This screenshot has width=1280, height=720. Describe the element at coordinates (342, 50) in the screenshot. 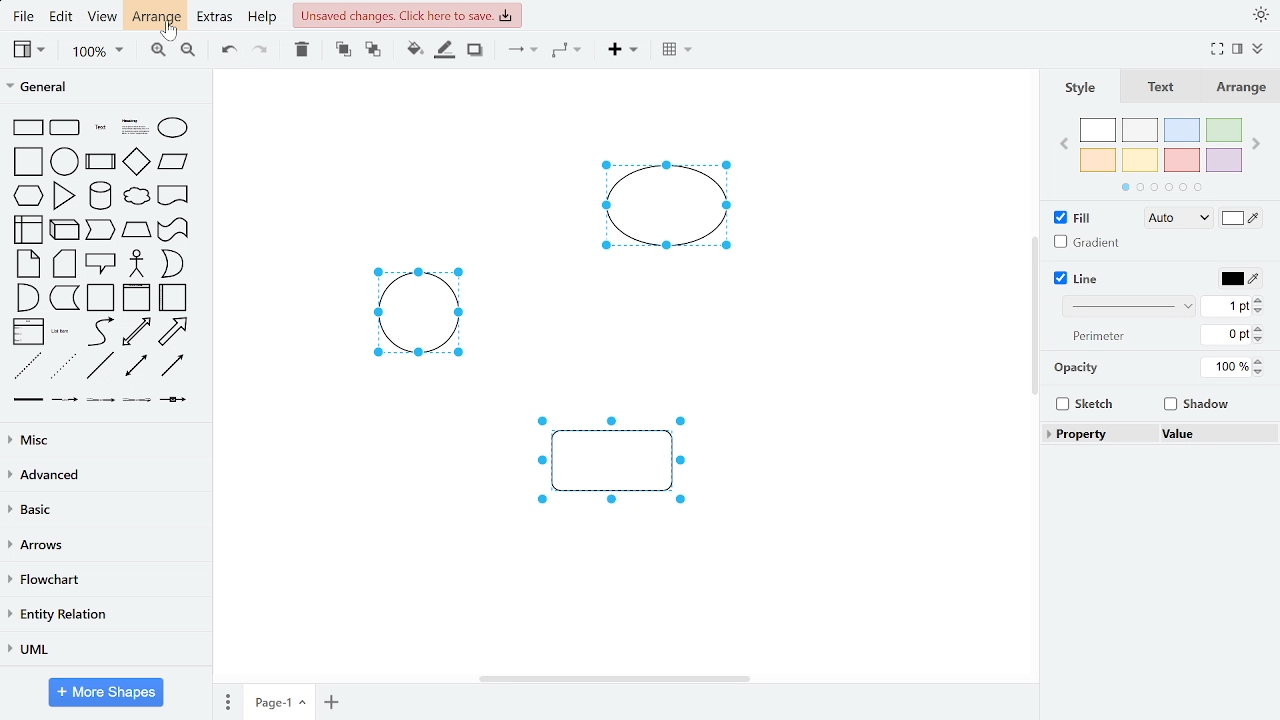

I see `to front` at that location.